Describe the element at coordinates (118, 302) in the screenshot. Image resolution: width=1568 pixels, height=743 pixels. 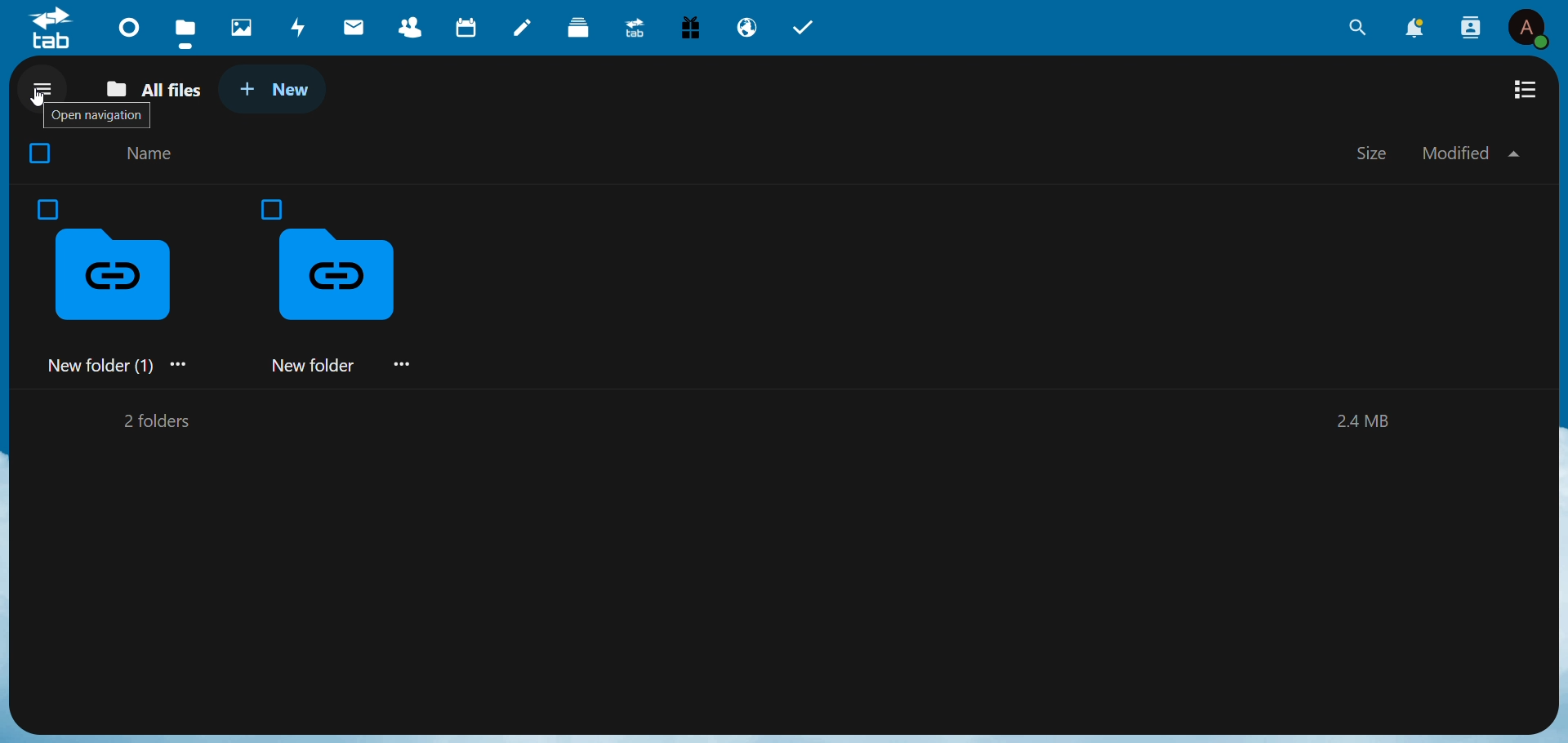
I see `new folder 1` at that location.